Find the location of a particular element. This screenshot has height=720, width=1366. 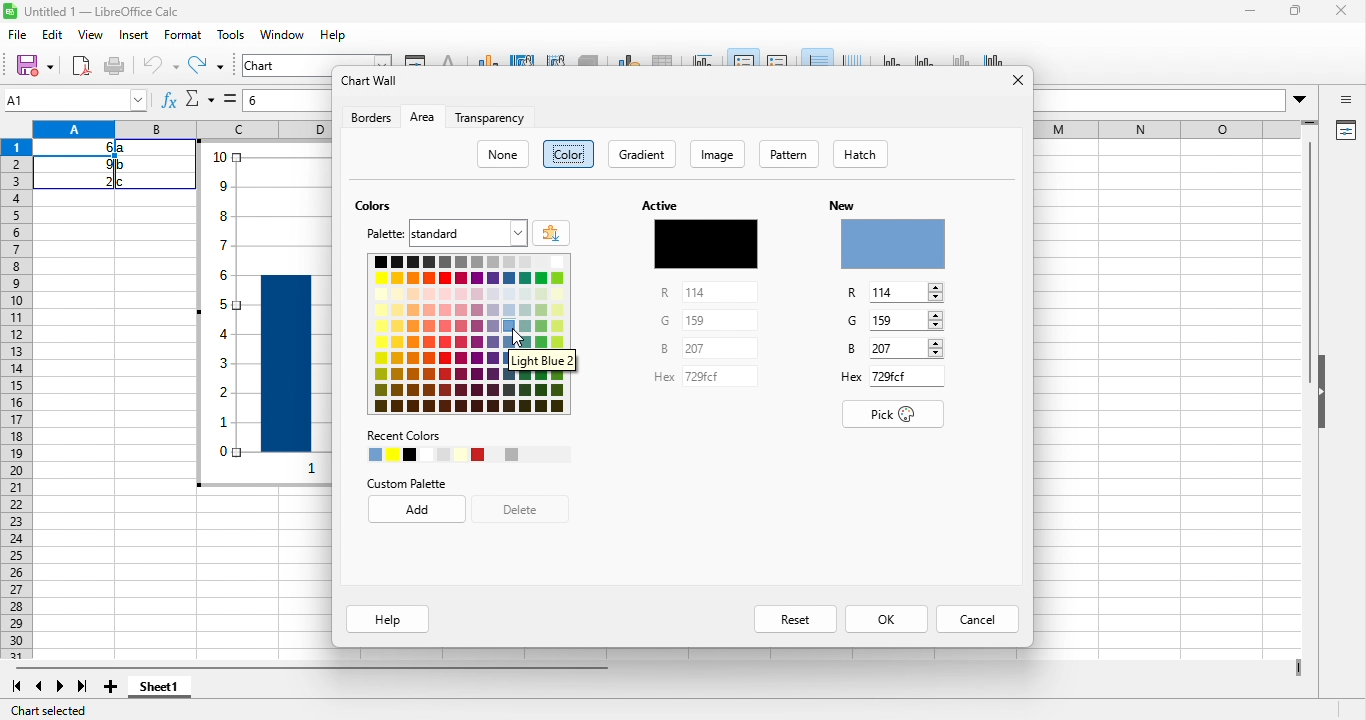

redo is located at coordinates (205, 65).